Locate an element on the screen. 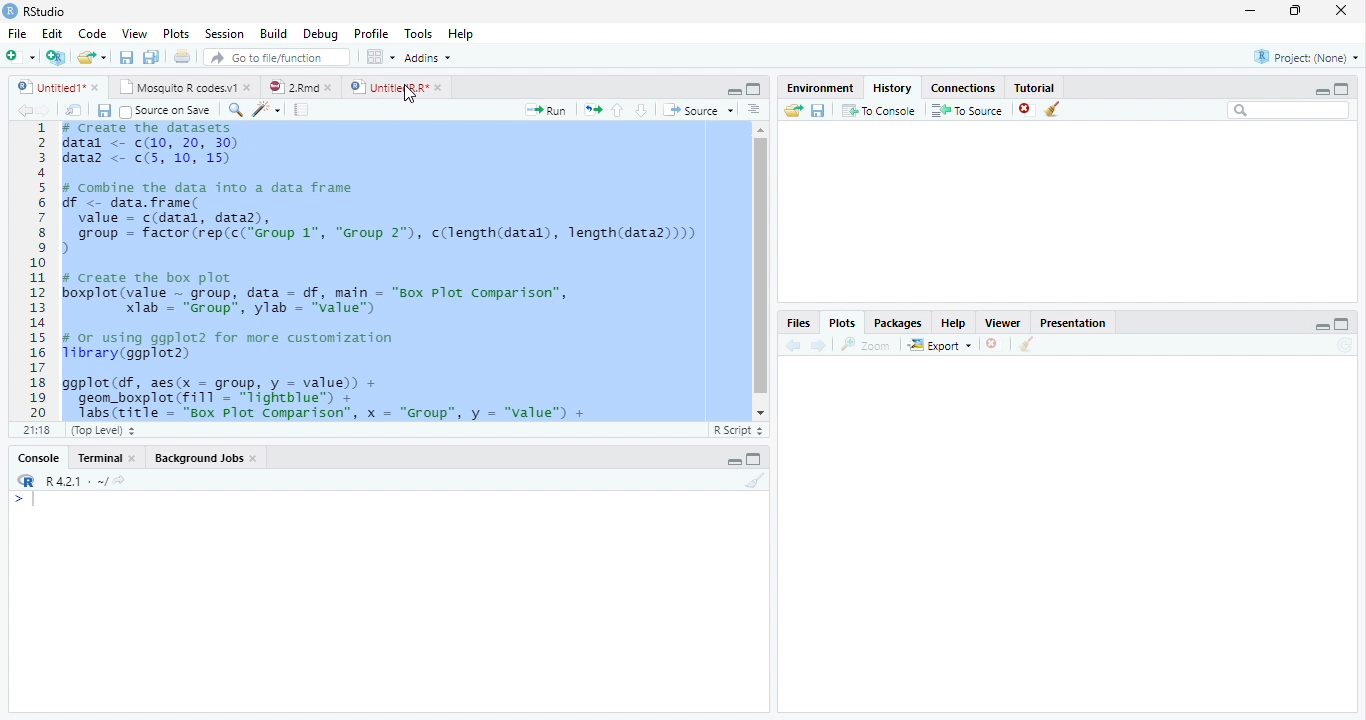 The image size is (1366, 720). File is located at coordinates (17, 33).